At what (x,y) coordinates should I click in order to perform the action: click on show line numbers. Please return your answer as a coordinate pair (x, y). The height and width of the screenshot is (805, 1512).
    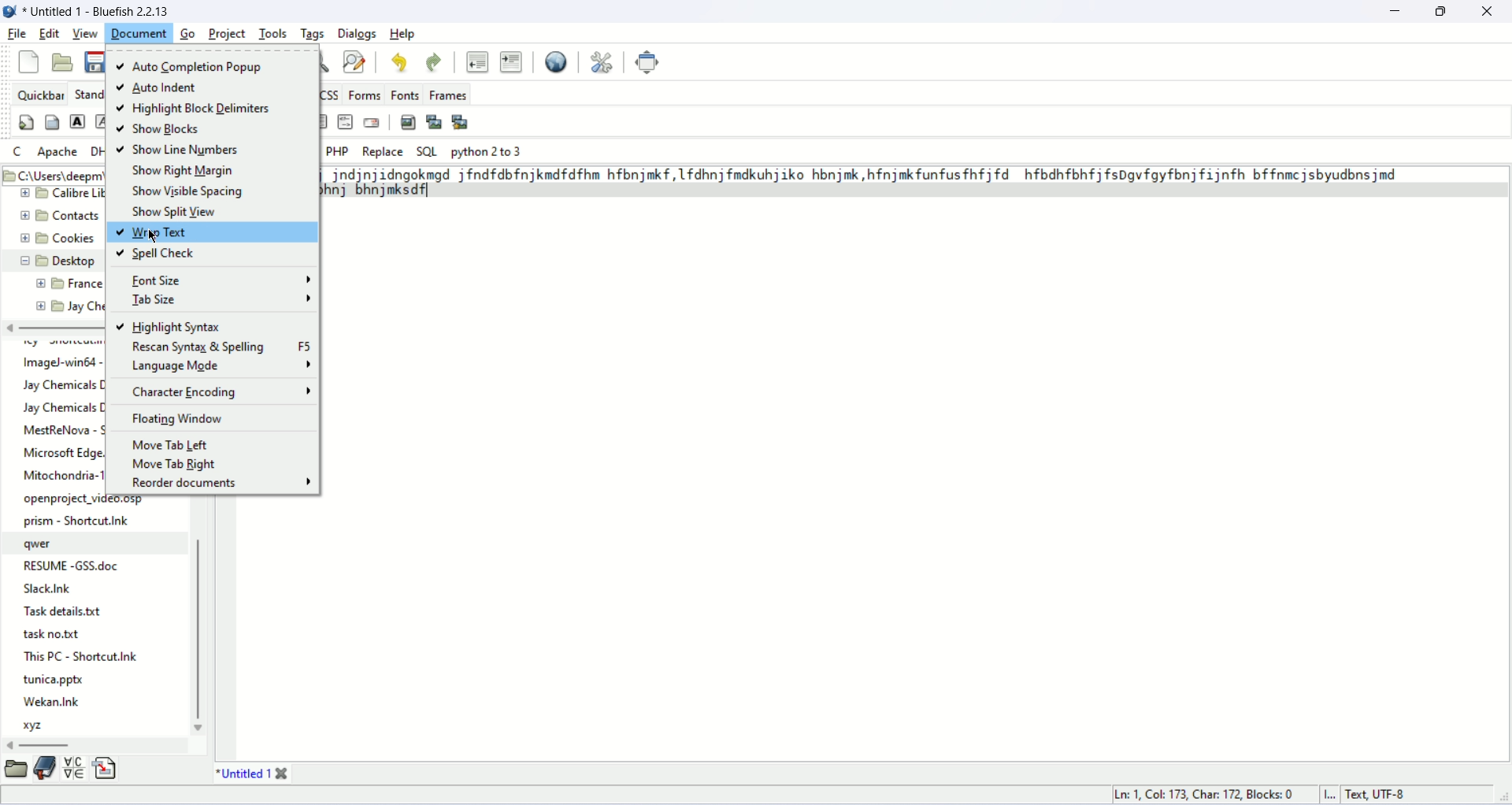
    Looking at the image, I should click on (180, 150).